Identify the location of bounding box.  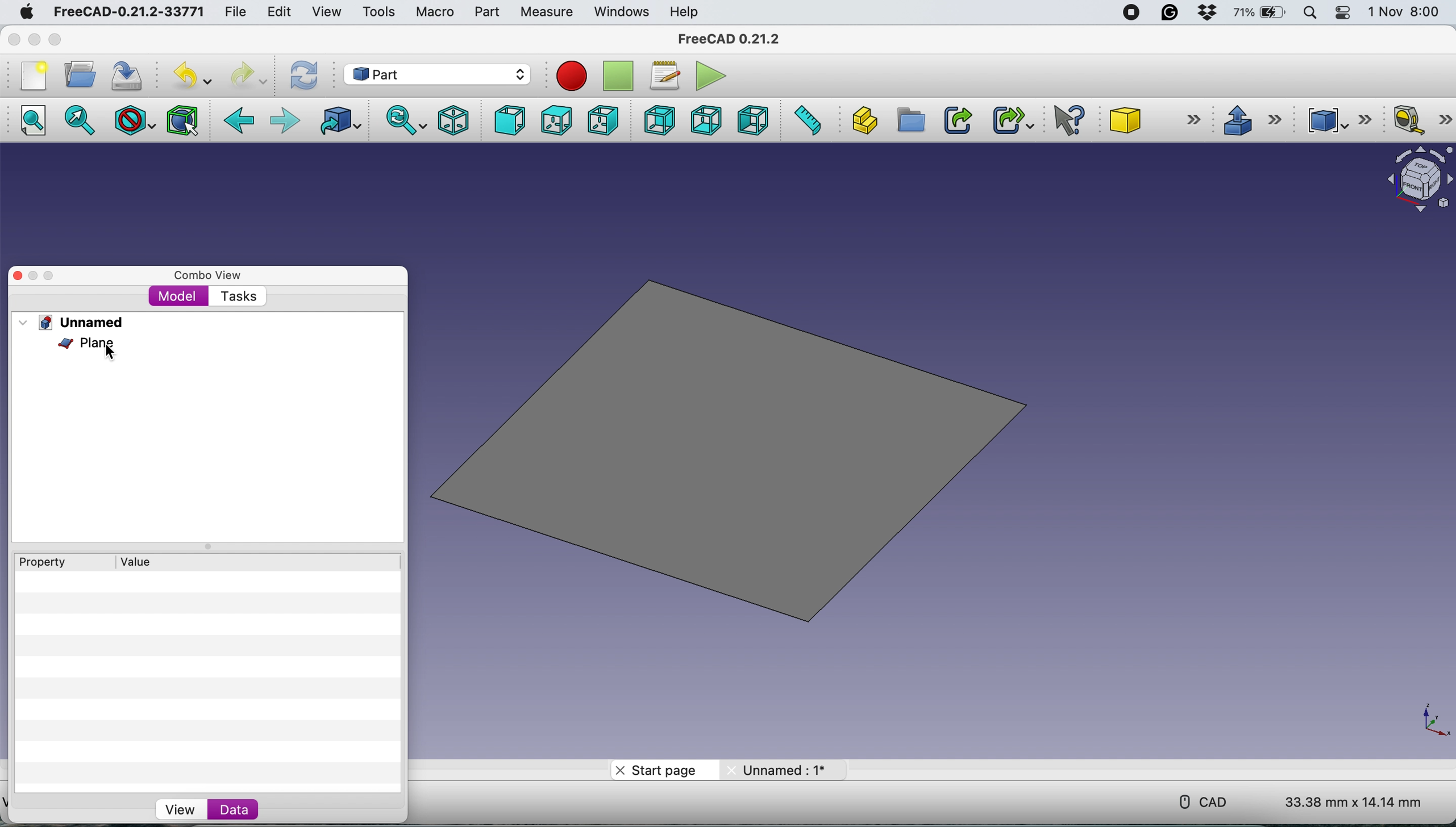
(182, 120).